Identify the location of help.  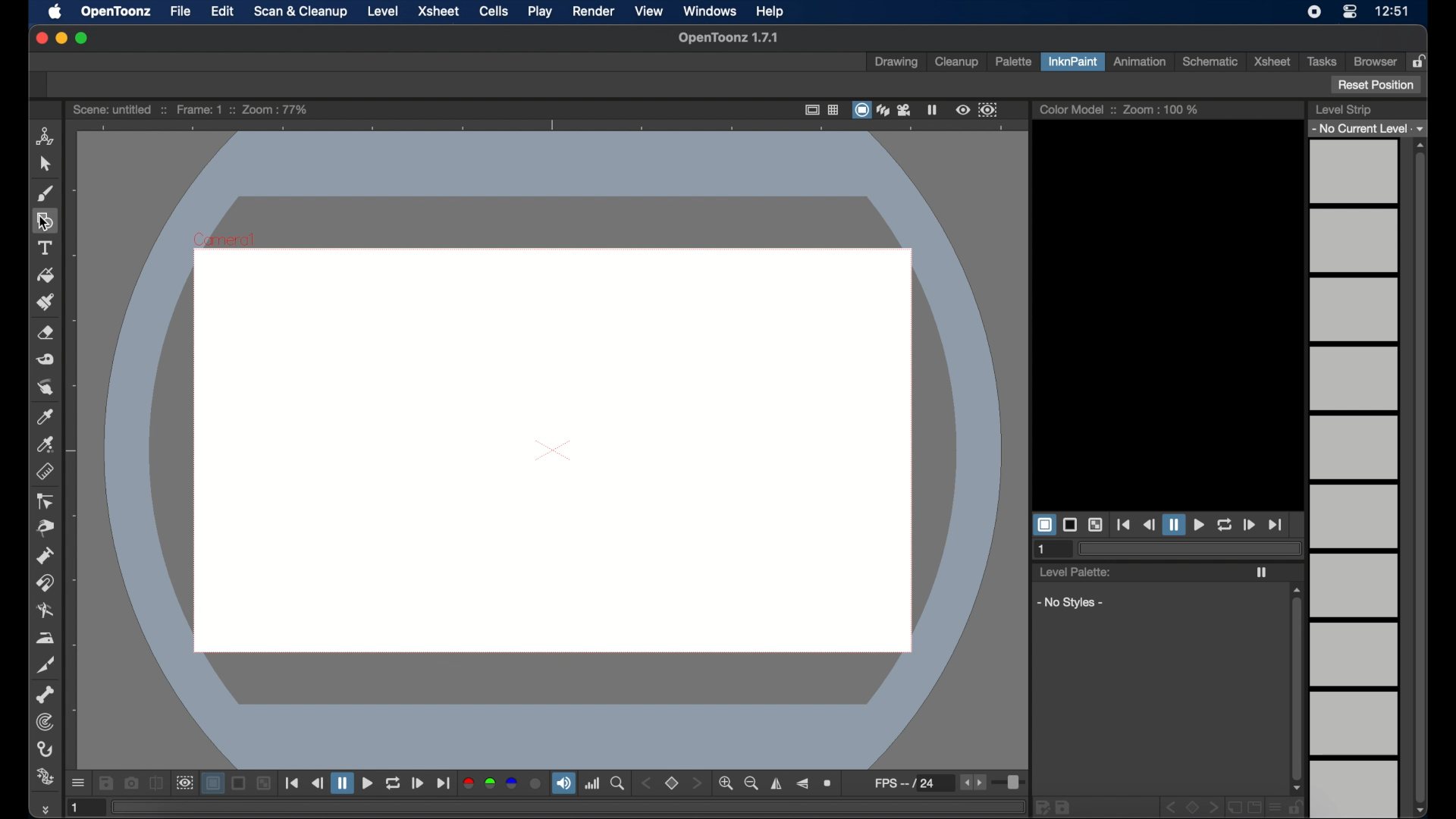
(770, 11).